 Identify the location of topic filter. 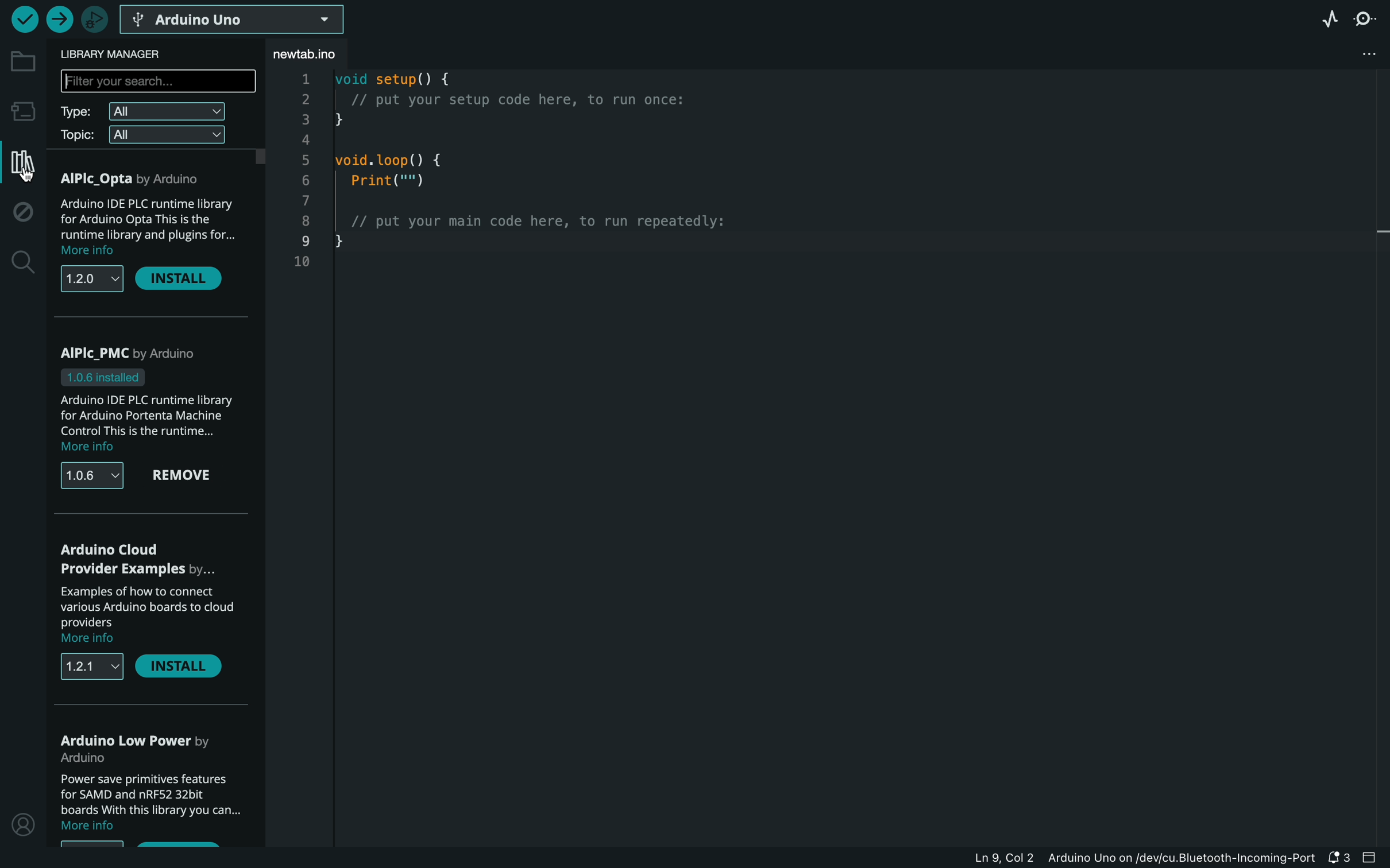
(142, 137).